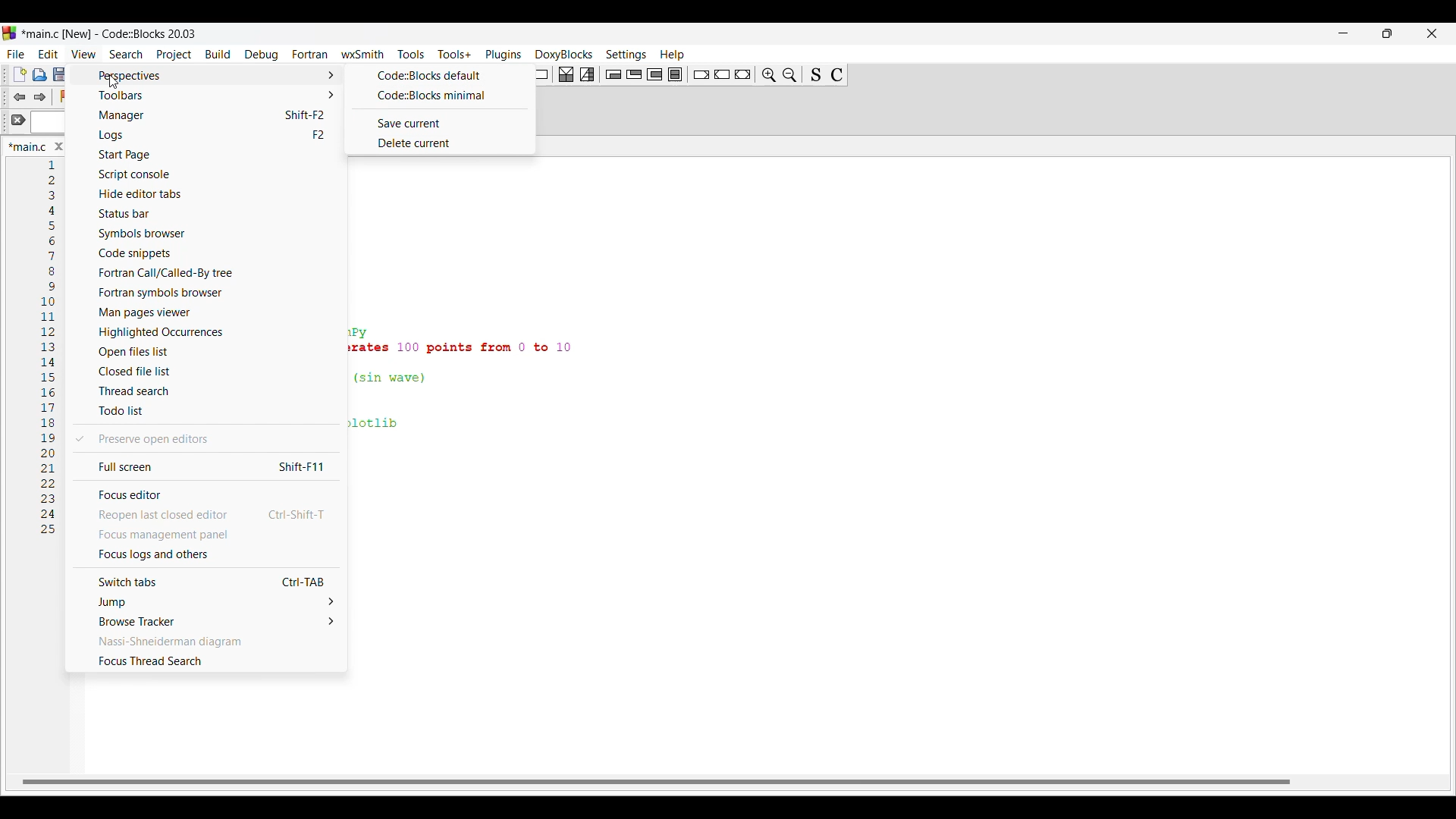  I want to click on Fortran symbols browser, so click(209, 293).